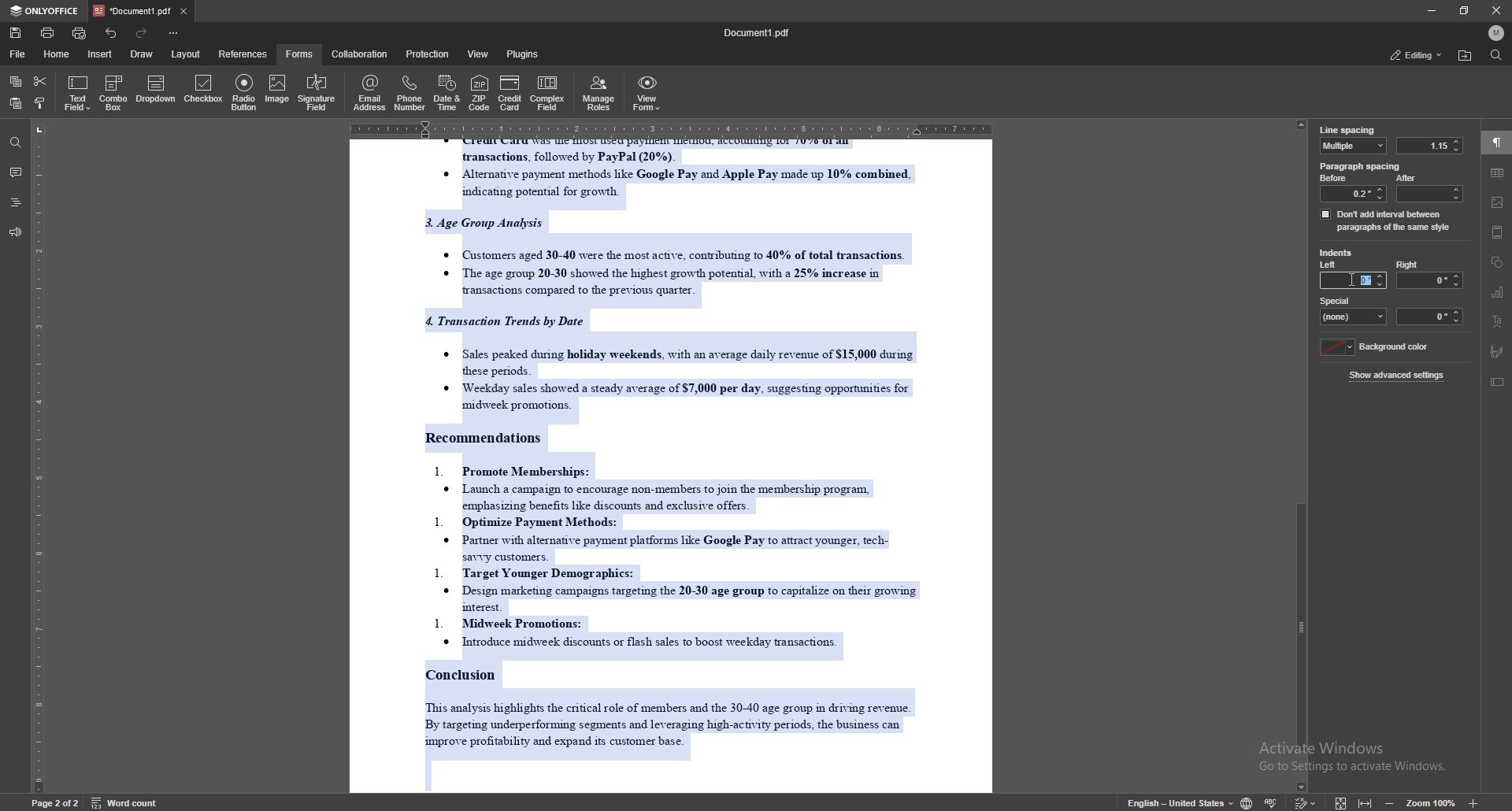  What do you see at coordinates (1377, 347) in the screenshot?
I see `background` at bounding box center [1377, 347].